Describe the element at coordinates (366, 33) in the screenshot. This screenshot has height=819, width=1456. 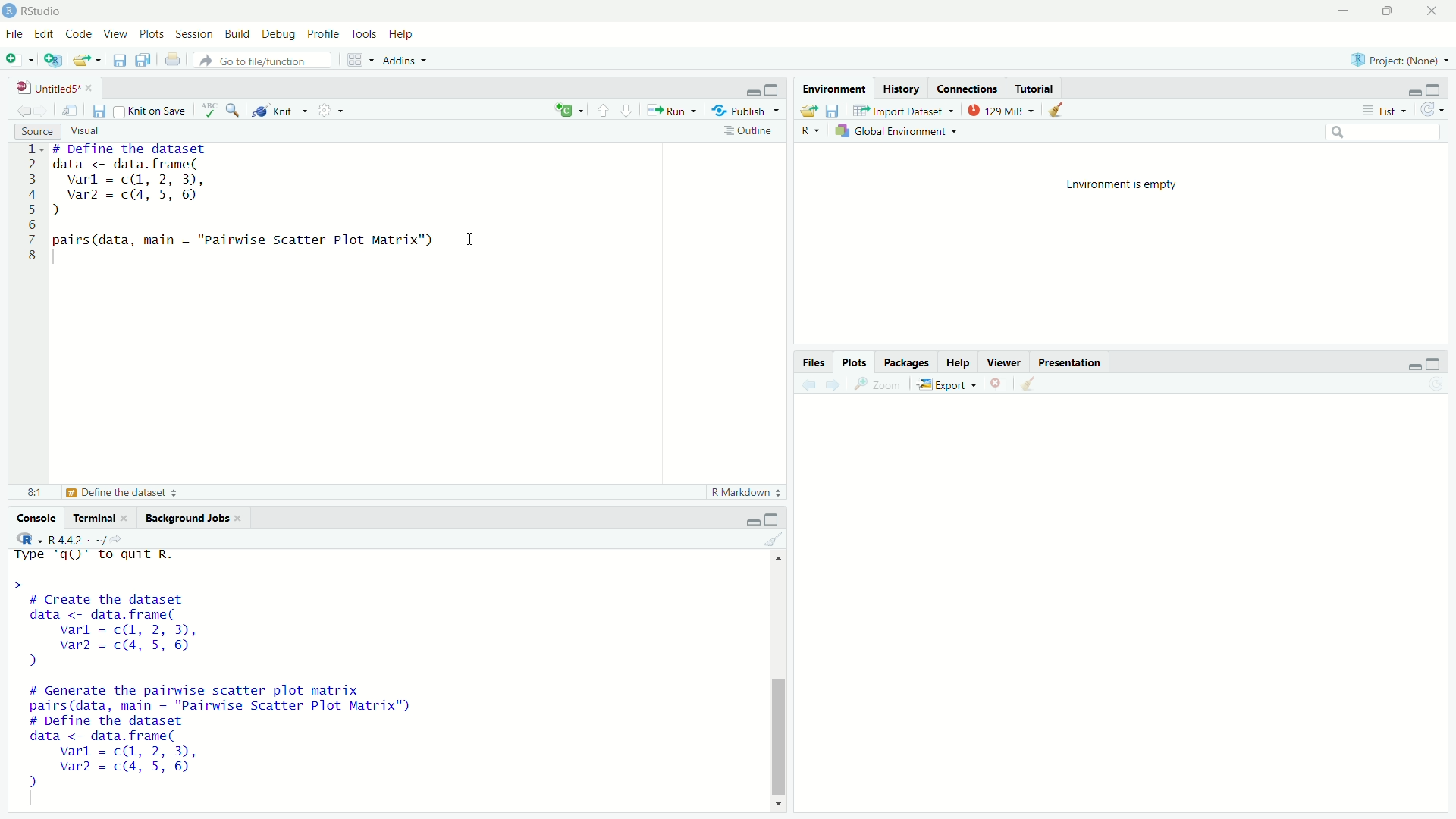
I see `Tools` at that location.